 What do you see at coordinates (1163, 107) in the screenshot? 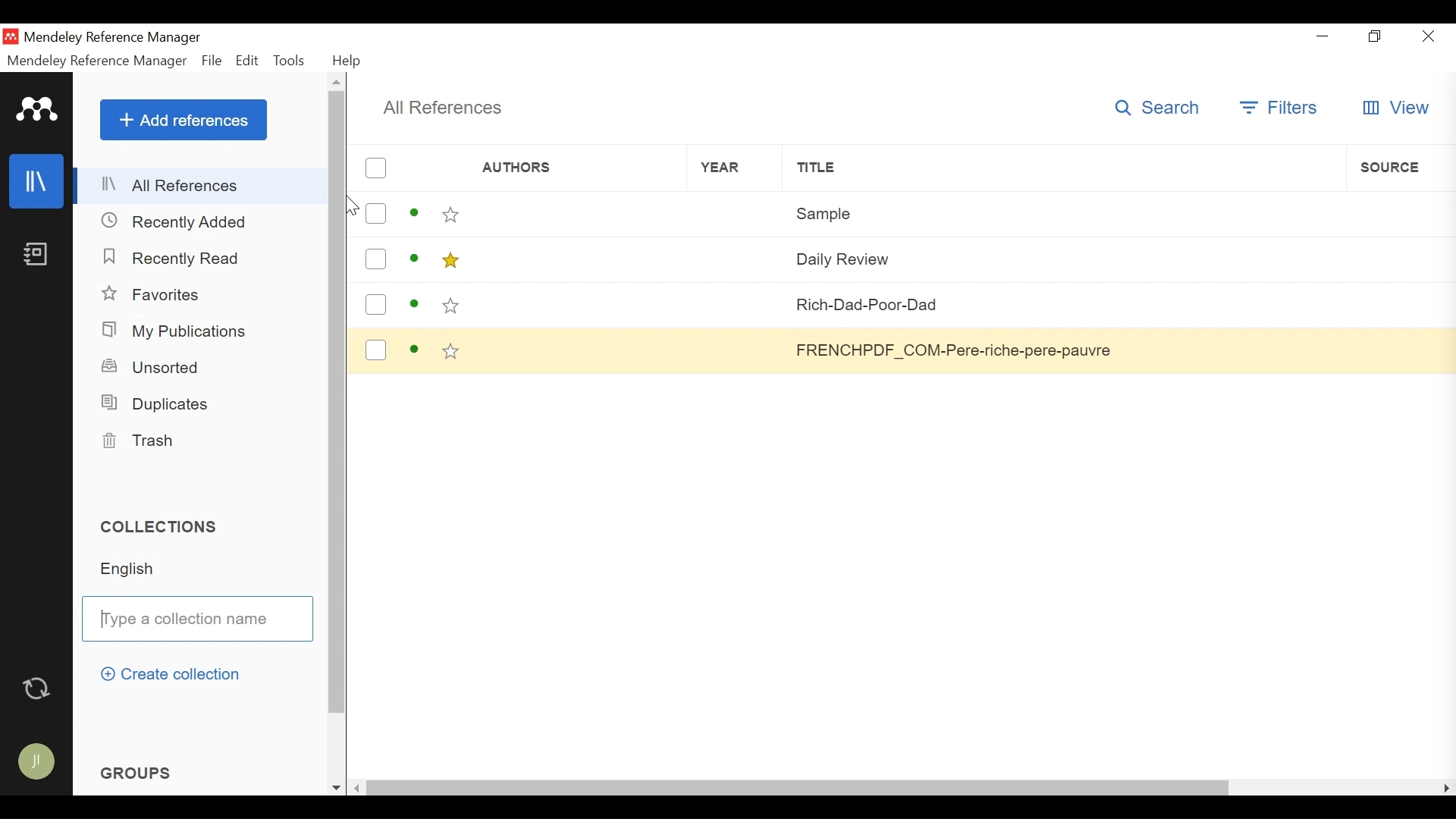
I see `Search` at bounding box center [1163, 107].